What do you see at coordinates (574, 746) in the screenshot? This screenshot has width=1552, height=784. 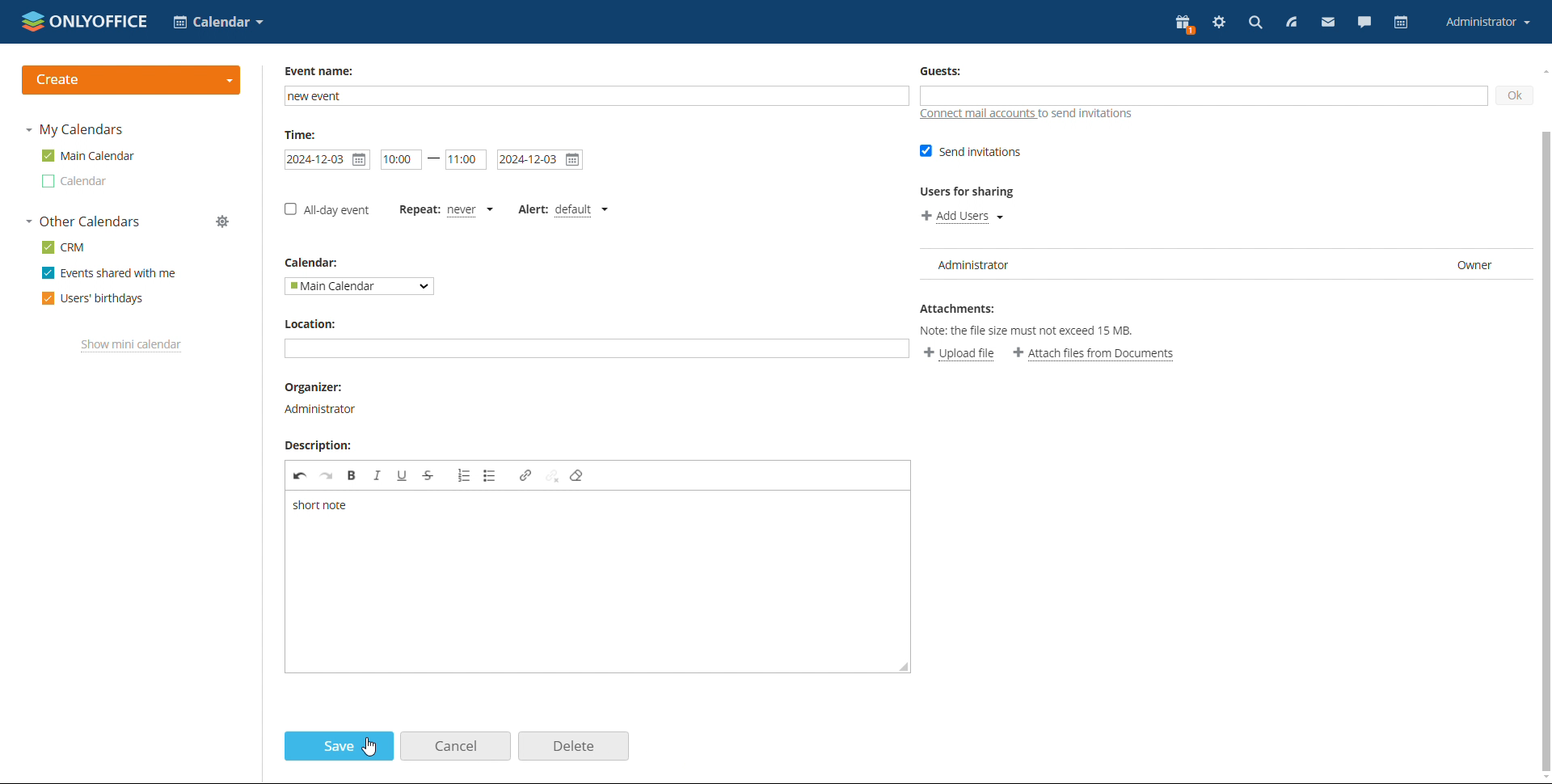 I see `delete` at bounding box center [574, 746].